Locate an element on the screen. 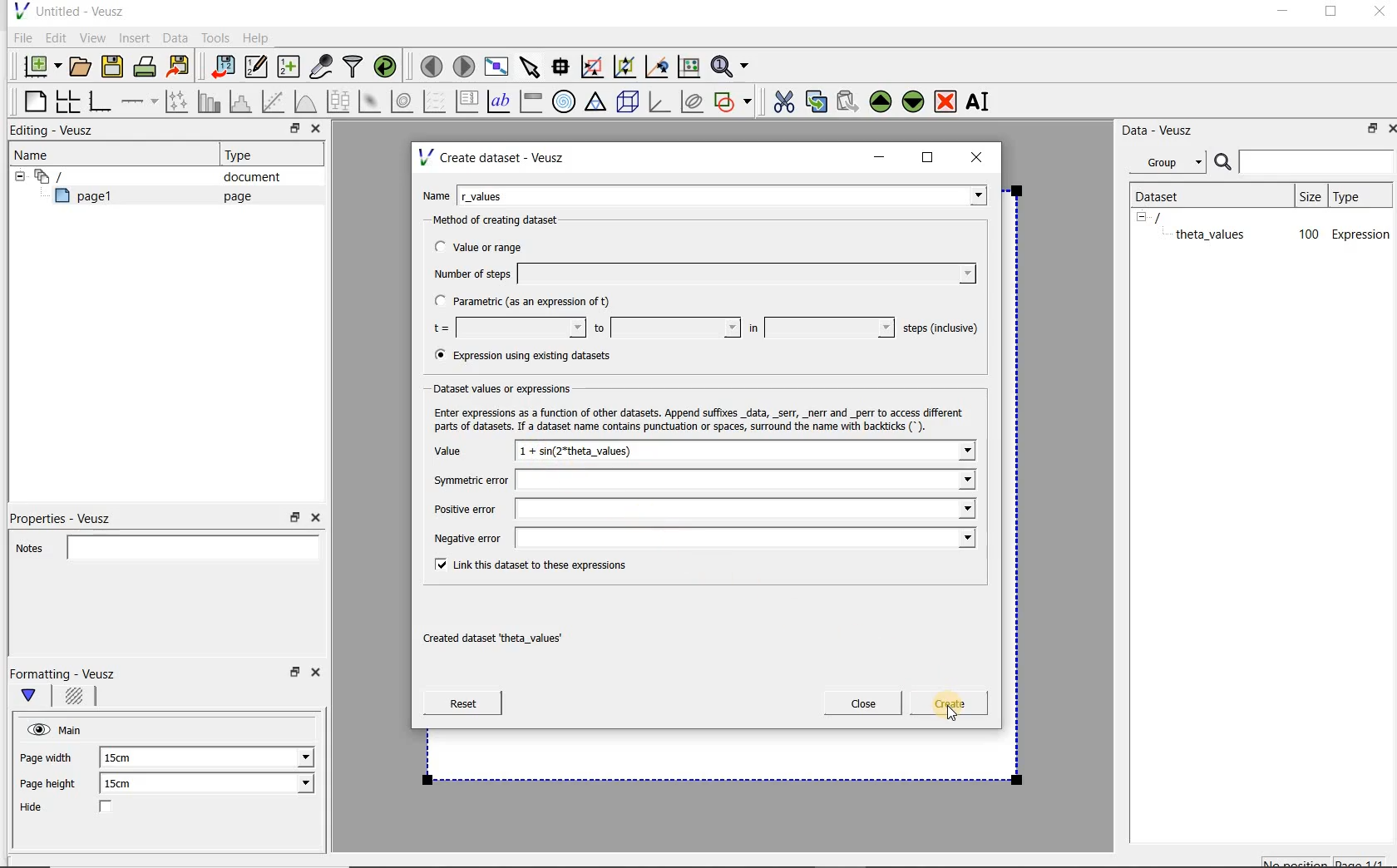 This screenshot has width=1397, height=868. Edit is located at coordinates (55, 37).